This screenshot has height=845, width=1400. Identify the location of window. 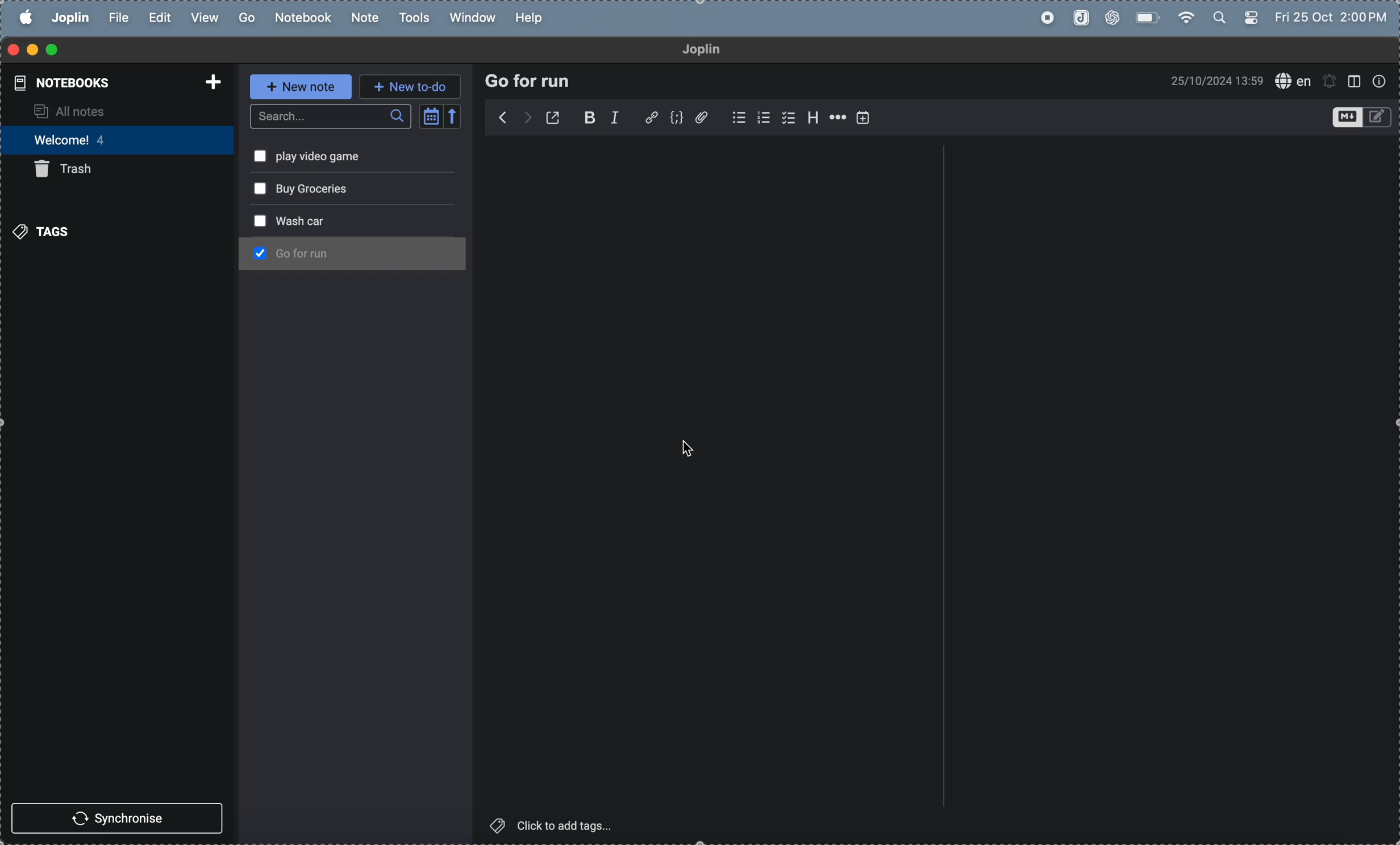
(474, 16).